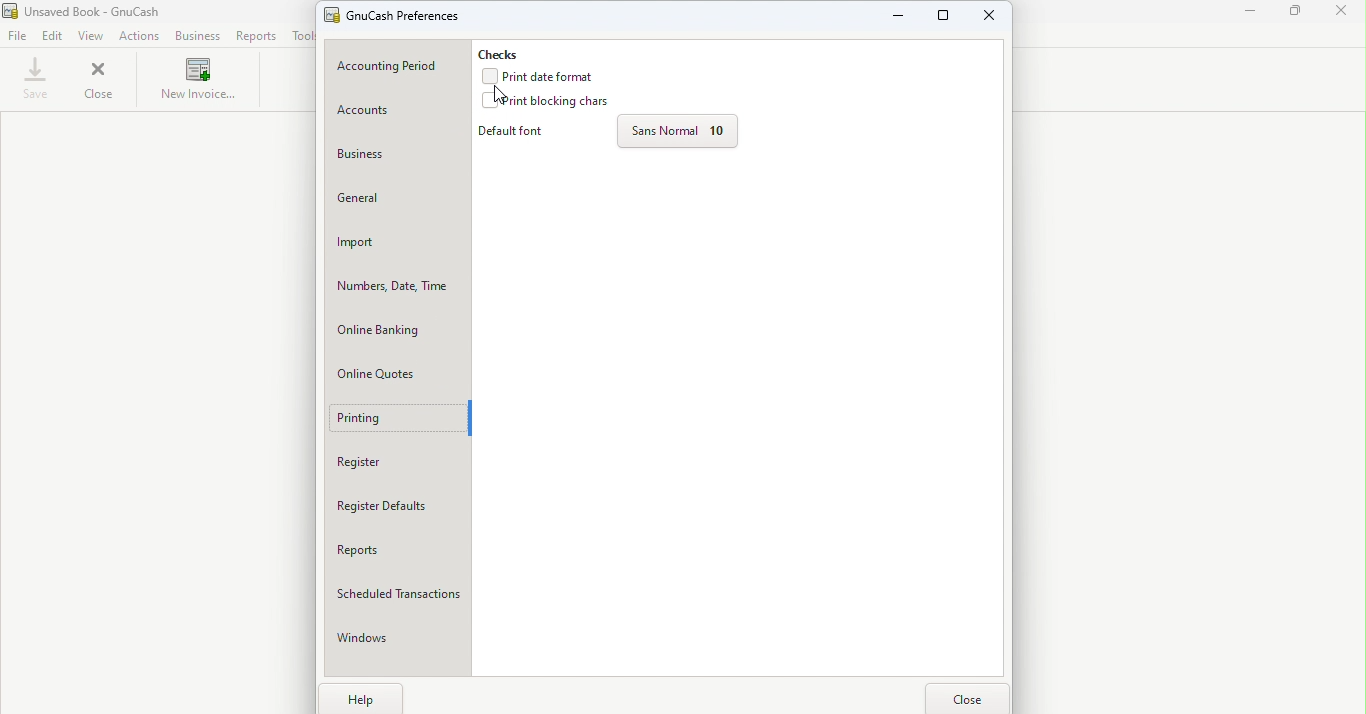 The width and height of the screenshot is (1366, 714). What do you see at coordinates (398, 331) in the screenshot?
I see `Online banking` at bounding box center [398, 331].